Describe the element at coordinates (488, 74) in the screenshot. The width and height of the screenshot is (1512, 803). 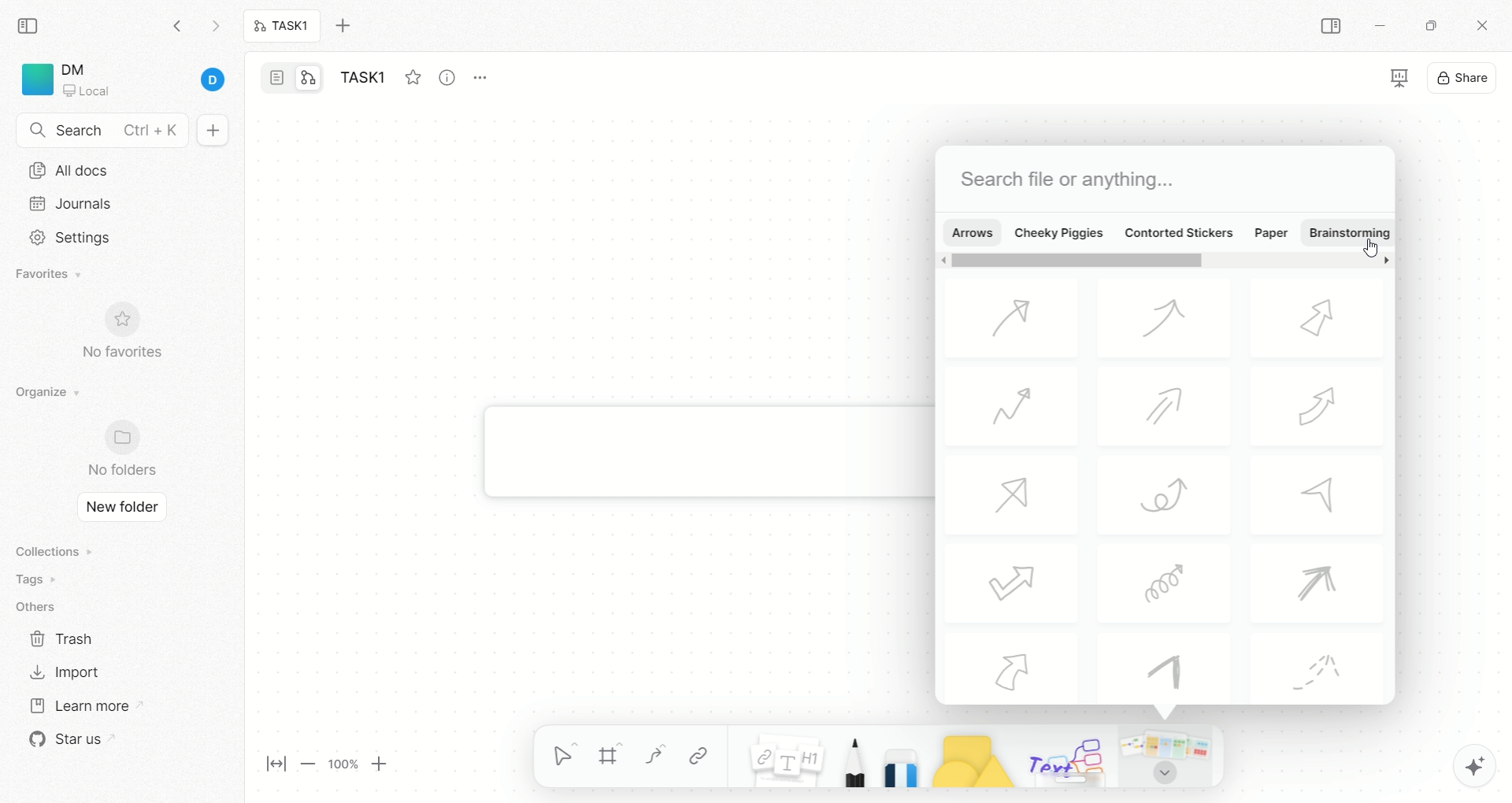
I see `options` at that location.